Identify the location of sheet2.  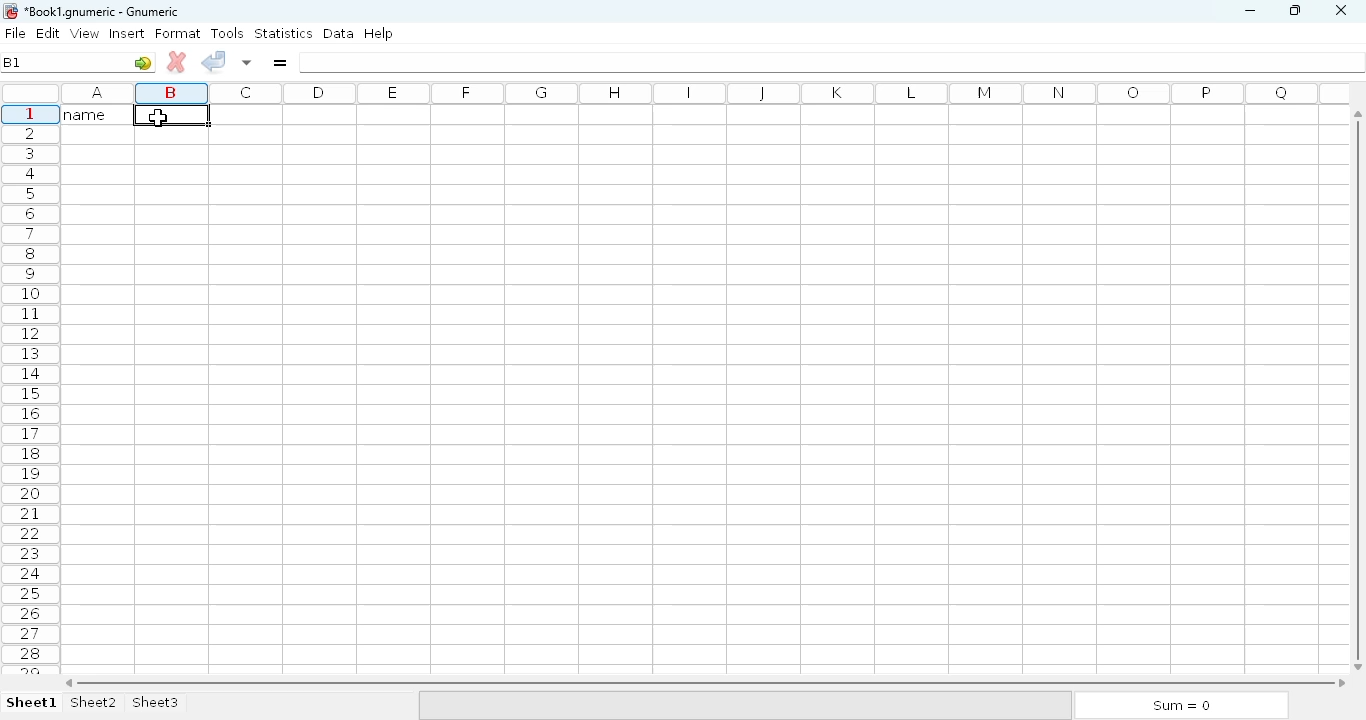
(95, 703).